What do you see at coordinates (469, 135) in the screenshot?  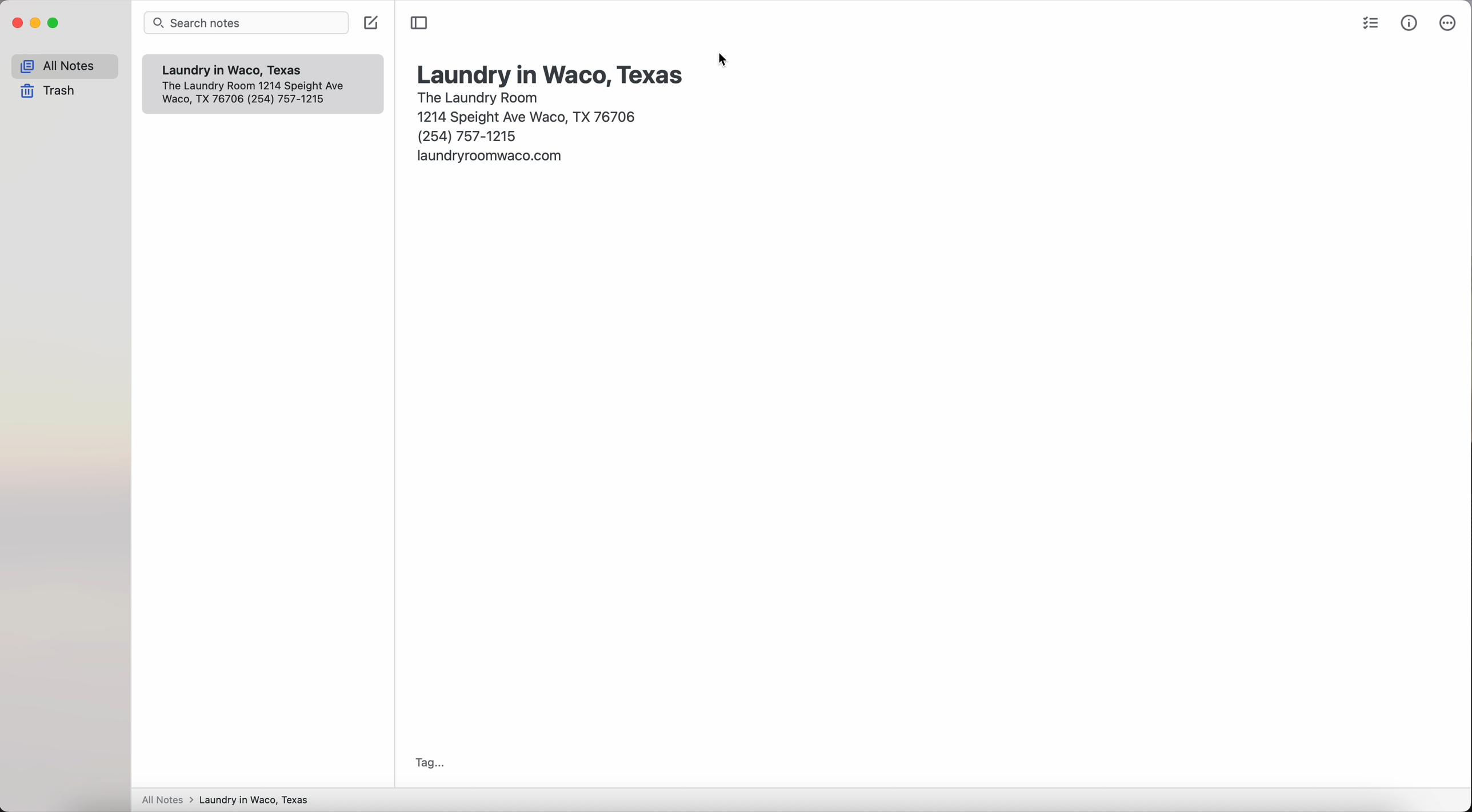 I see `(254) 757-1215` at bounding box center [469, 135].